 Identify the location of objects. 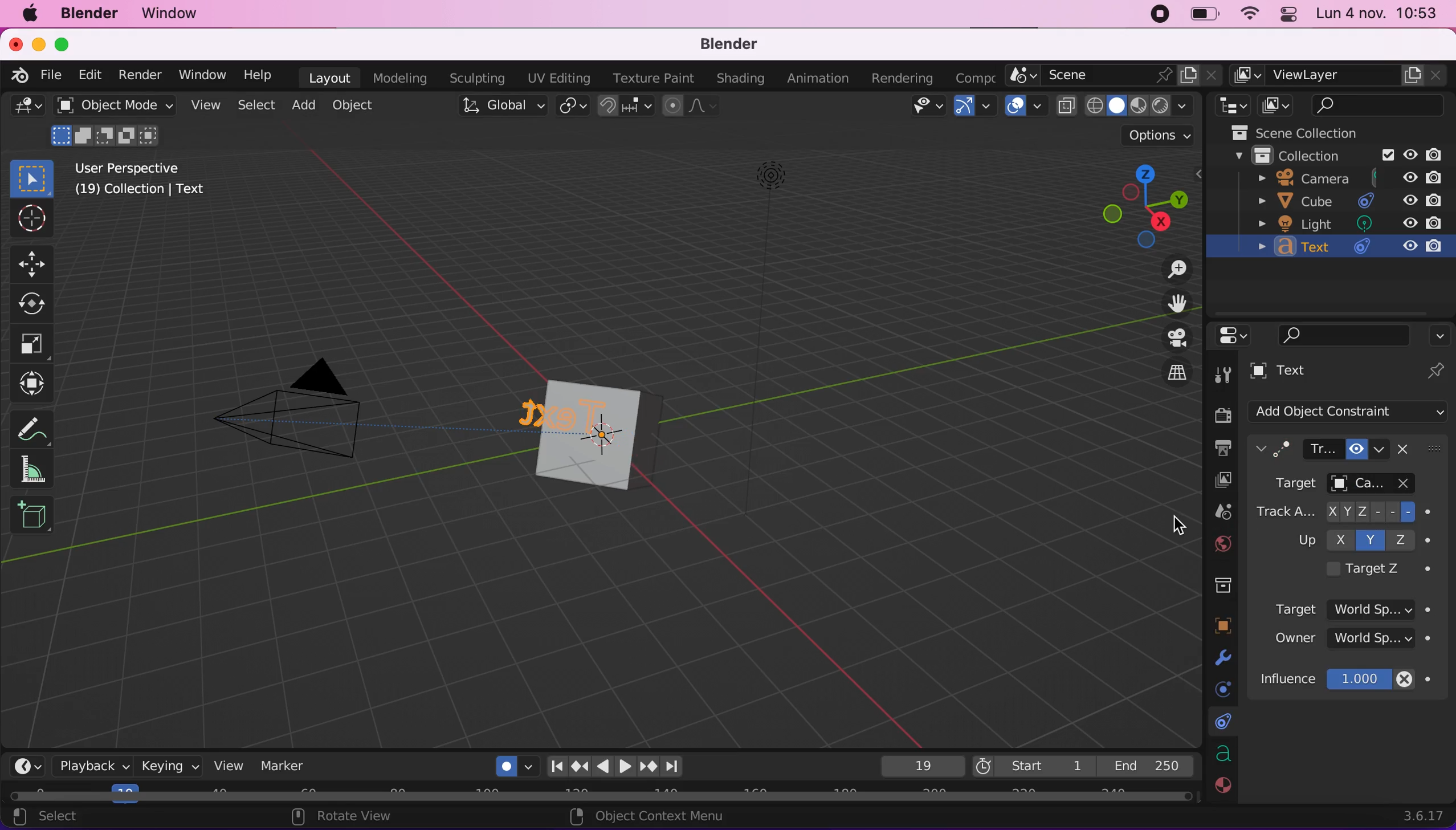
(1225, 625).